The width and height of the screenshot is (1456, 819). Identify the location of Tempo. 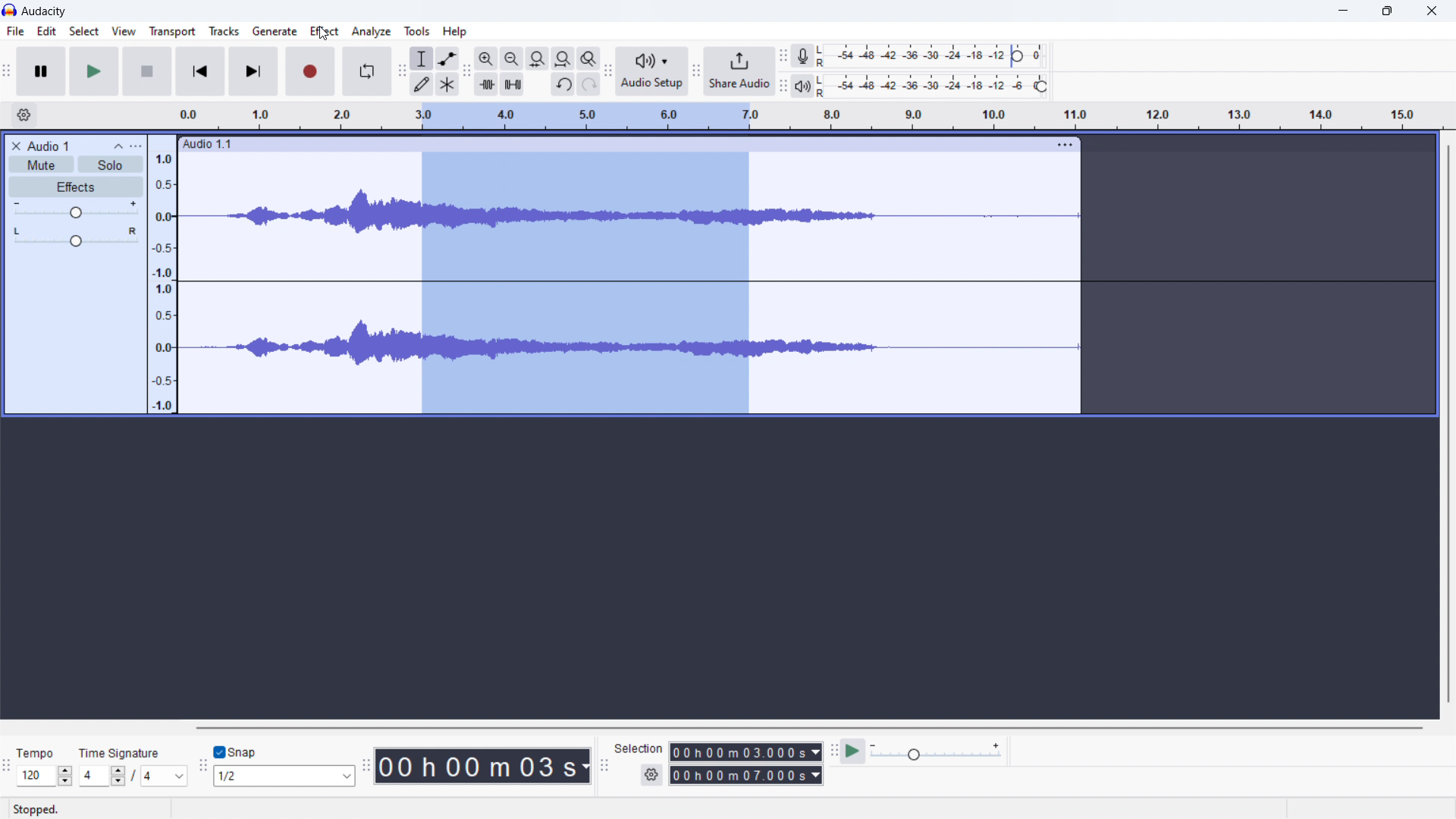
(37, 754).